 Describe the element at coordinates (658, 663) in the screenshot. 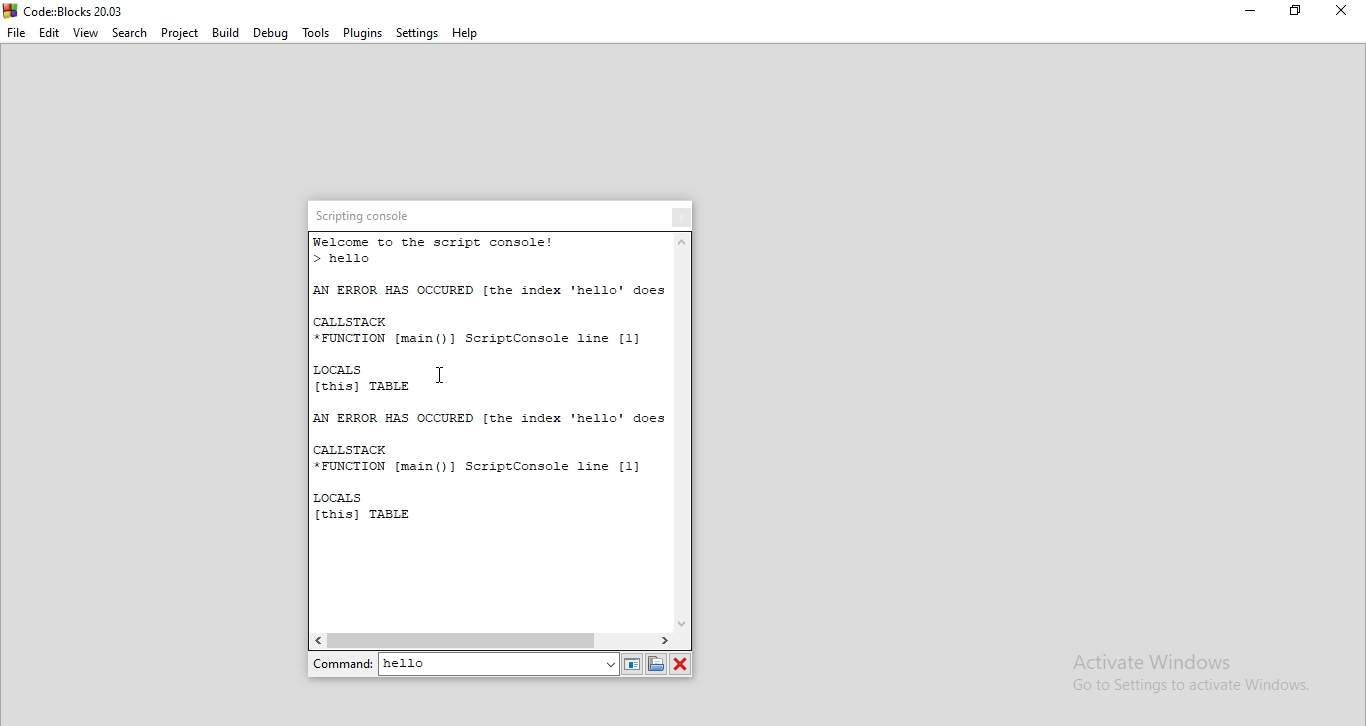

I see `import from file` at that location.